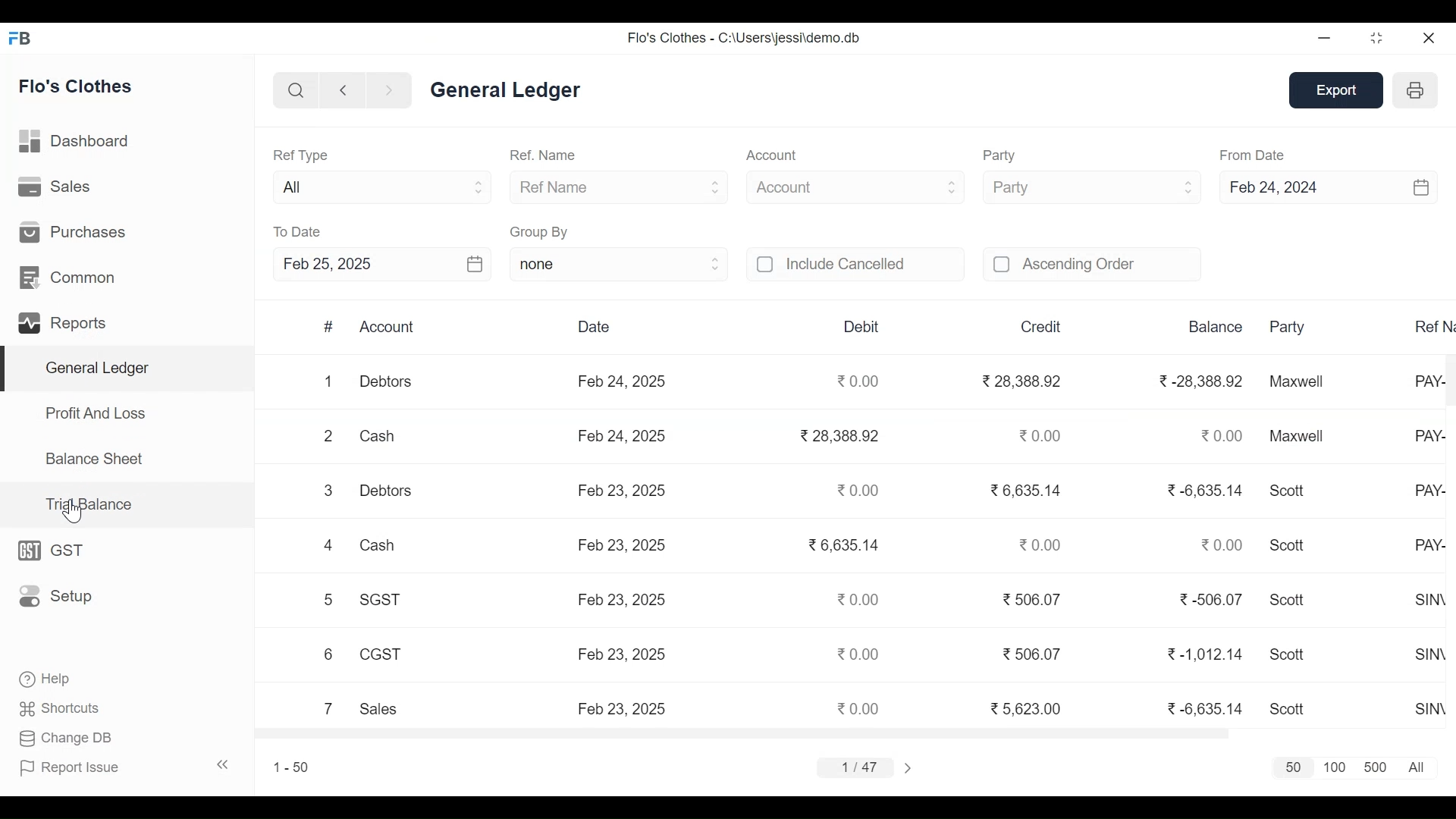 This screenshot has width=1456, height=819. Describe the element at coordinates (98, 504) in the screenshot. I see `Trial Balance` at that location.